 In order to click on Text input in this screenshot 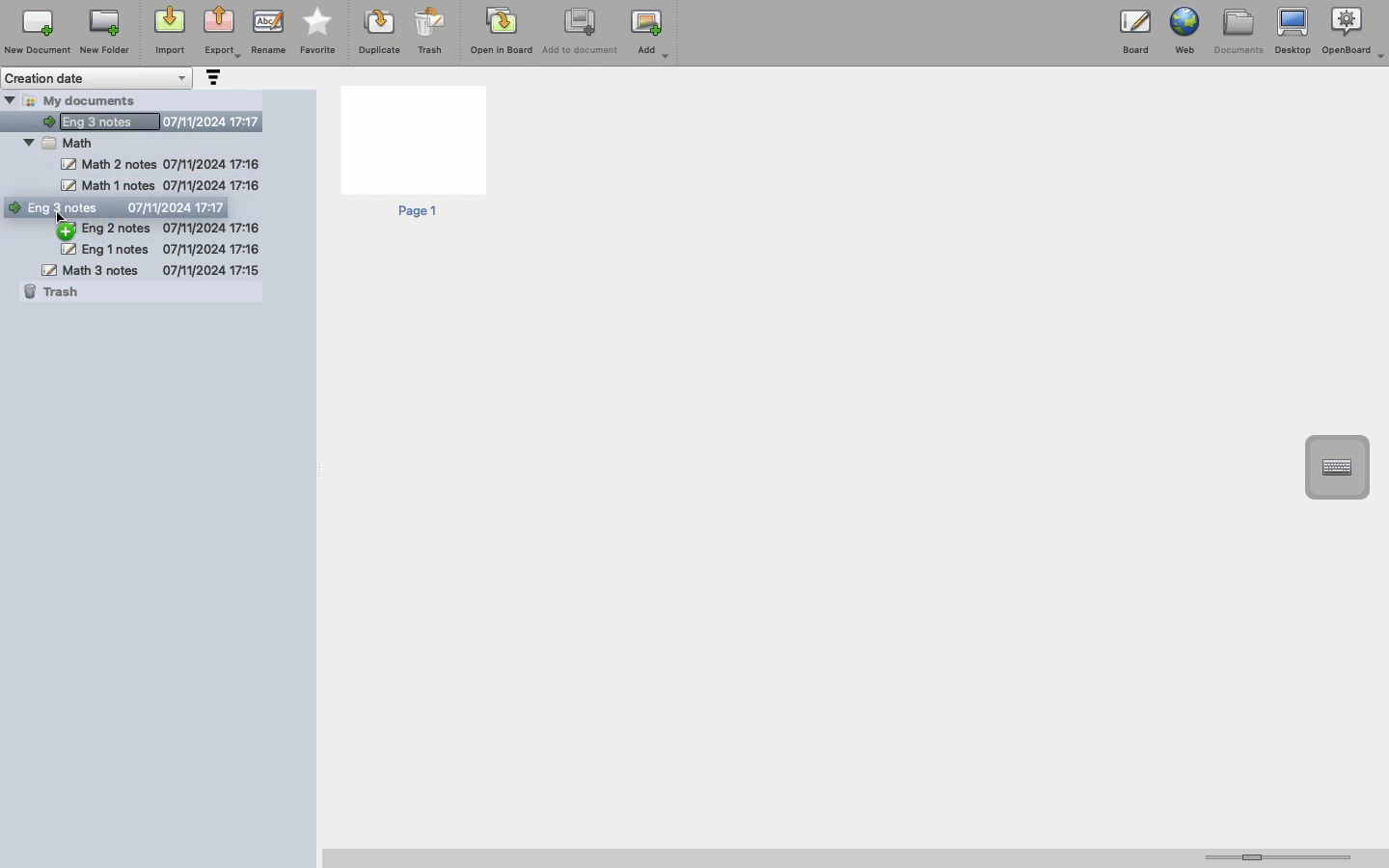, I will do `click(1336, 468)`.